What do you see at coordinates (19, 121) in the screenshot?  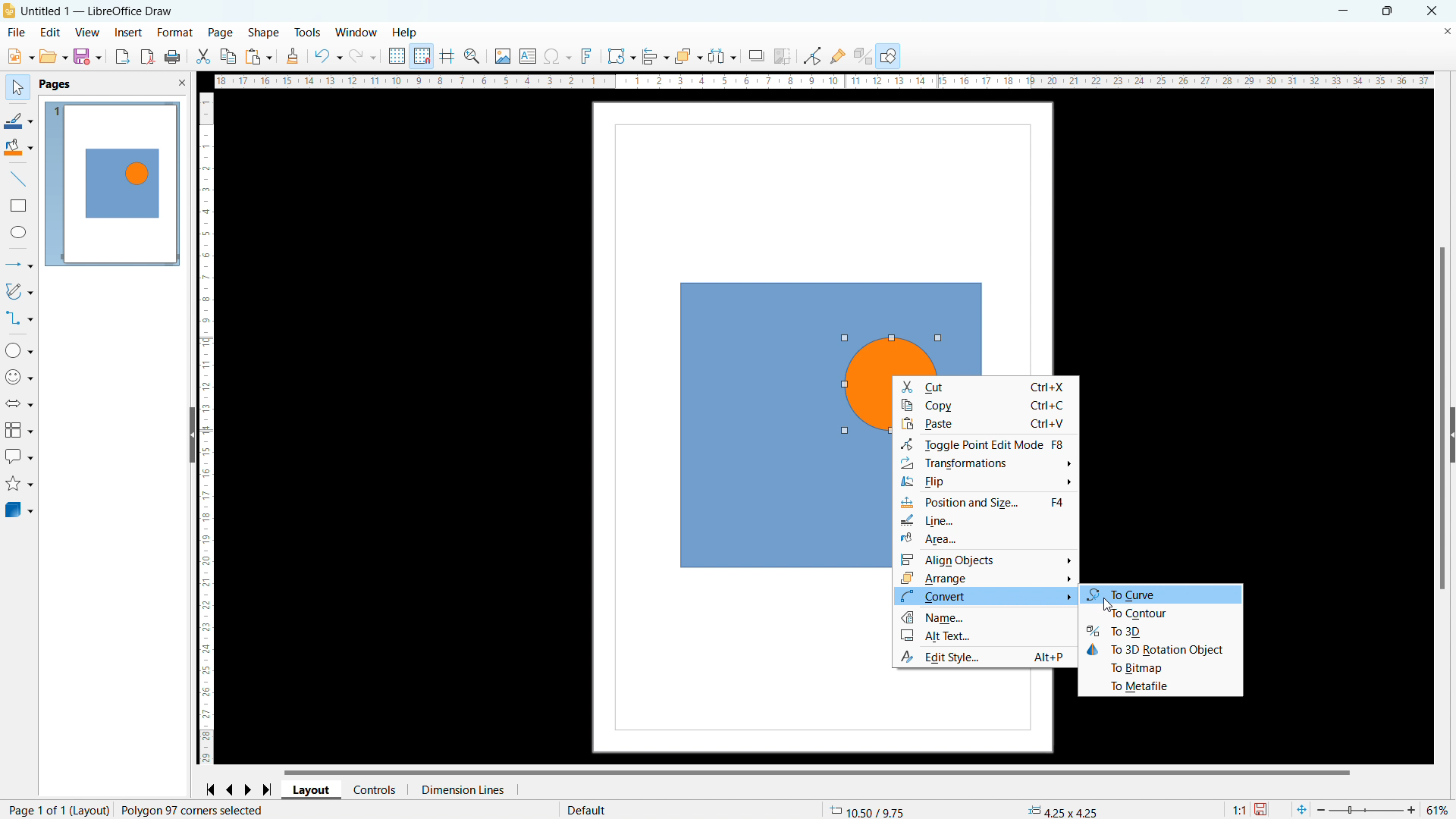 I see `line color` at bounding box center [19, 121].